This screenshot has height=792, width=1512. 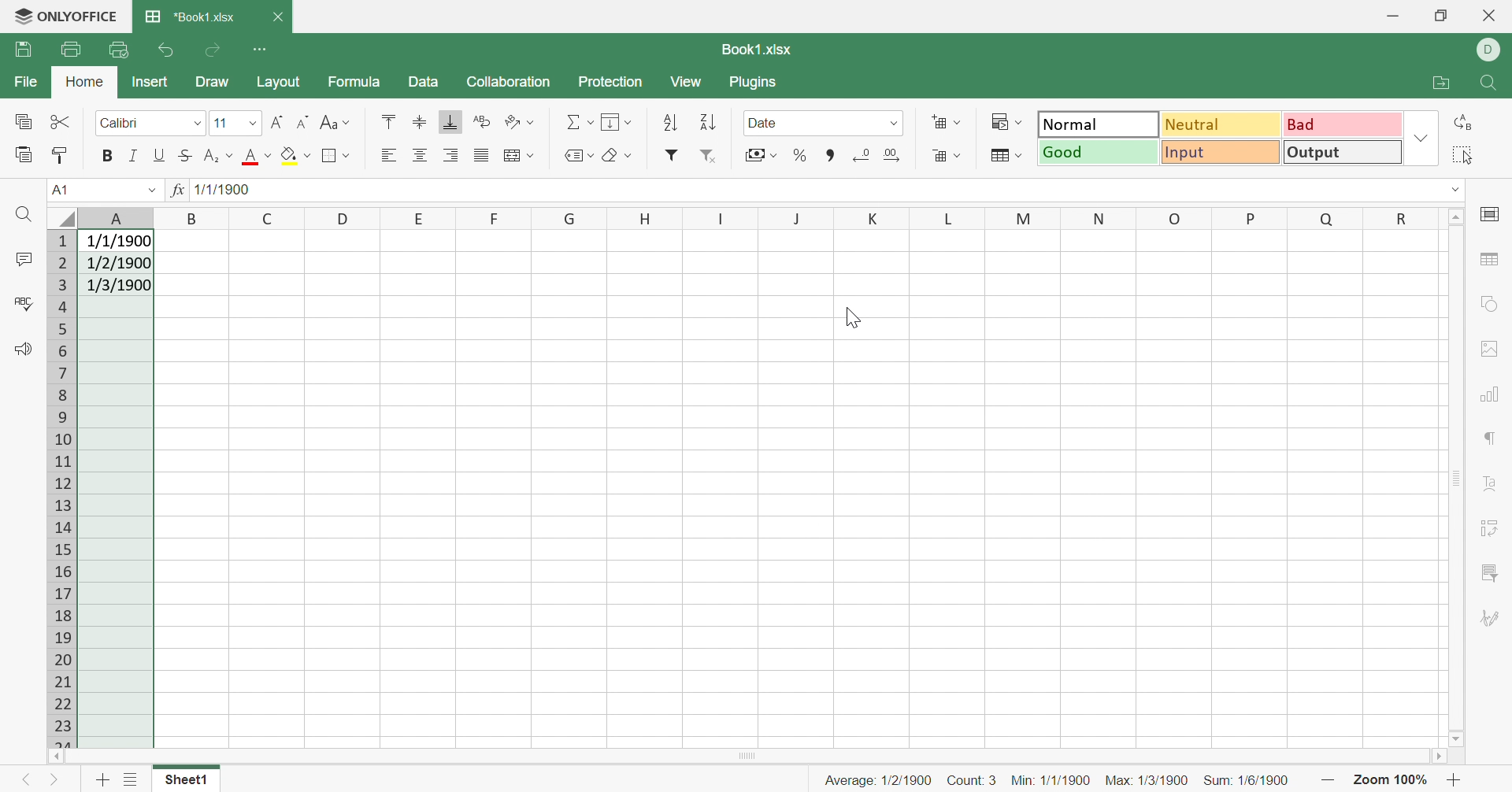 I want to click on Copy, so click(x=24, y=121).